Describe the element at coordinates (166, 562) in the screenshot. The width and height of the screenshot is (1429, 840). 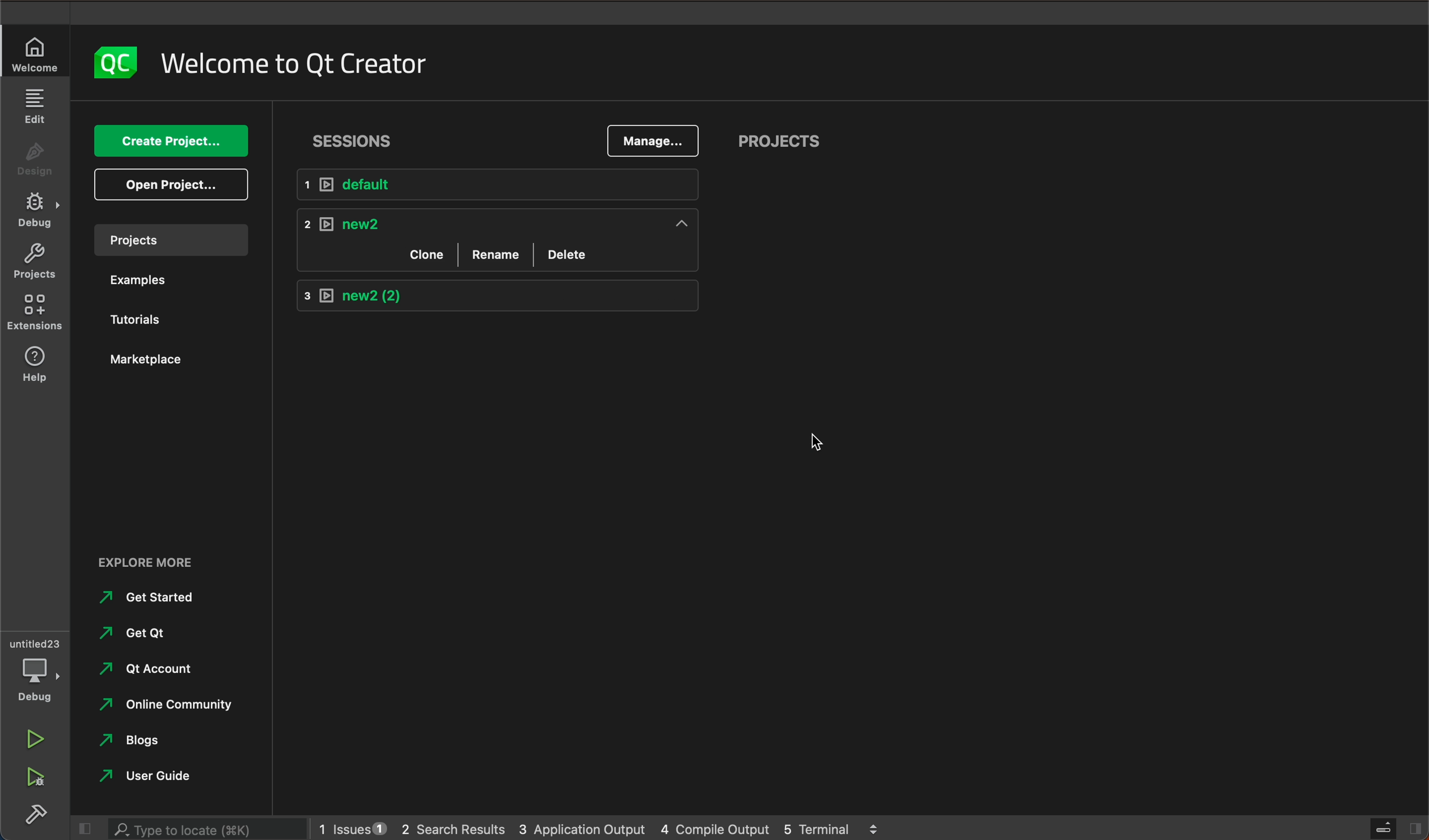
I see `explore more` at that location.